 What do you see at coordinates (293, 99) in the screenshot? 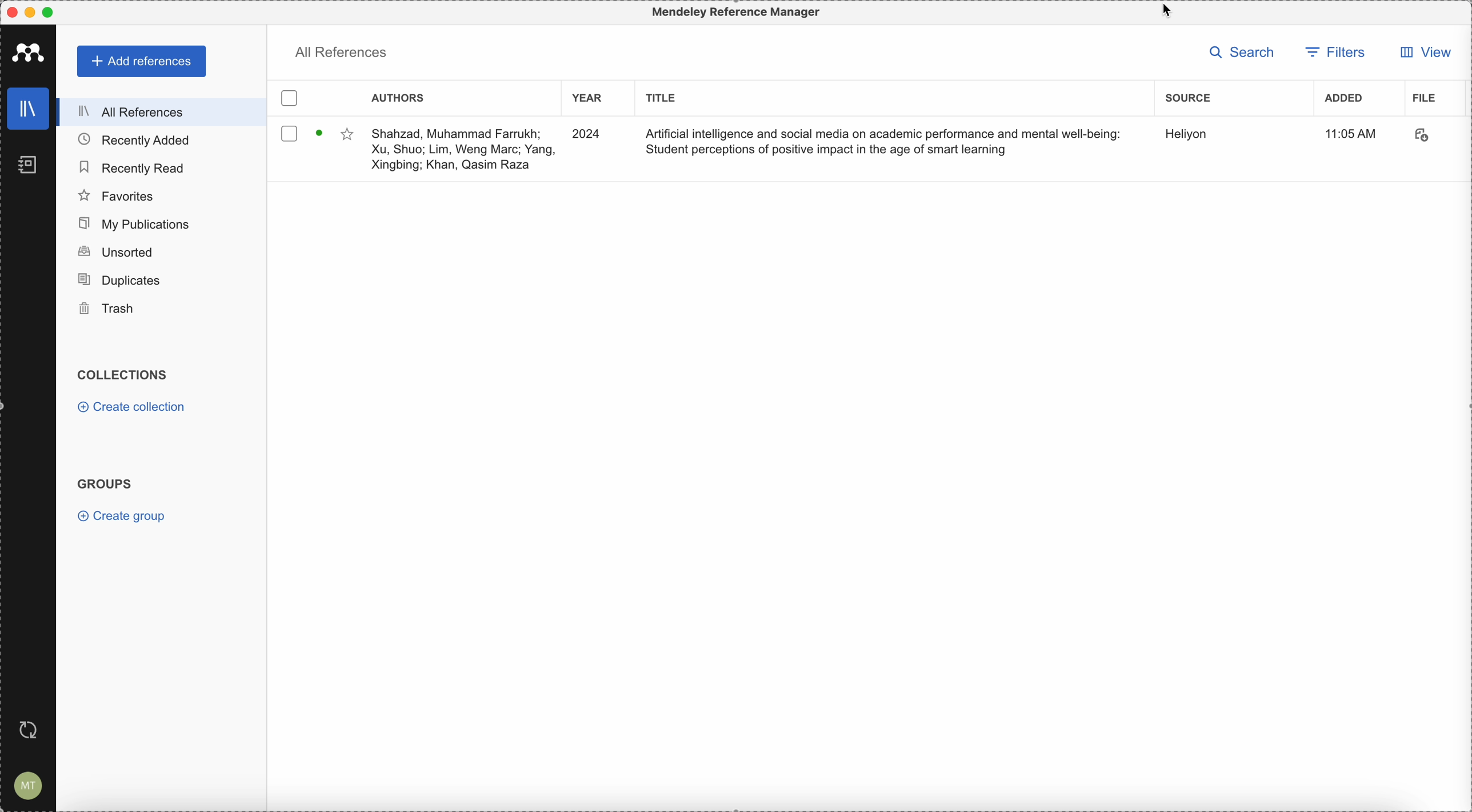
I see `checkbox` at bounding box center [293, 99].